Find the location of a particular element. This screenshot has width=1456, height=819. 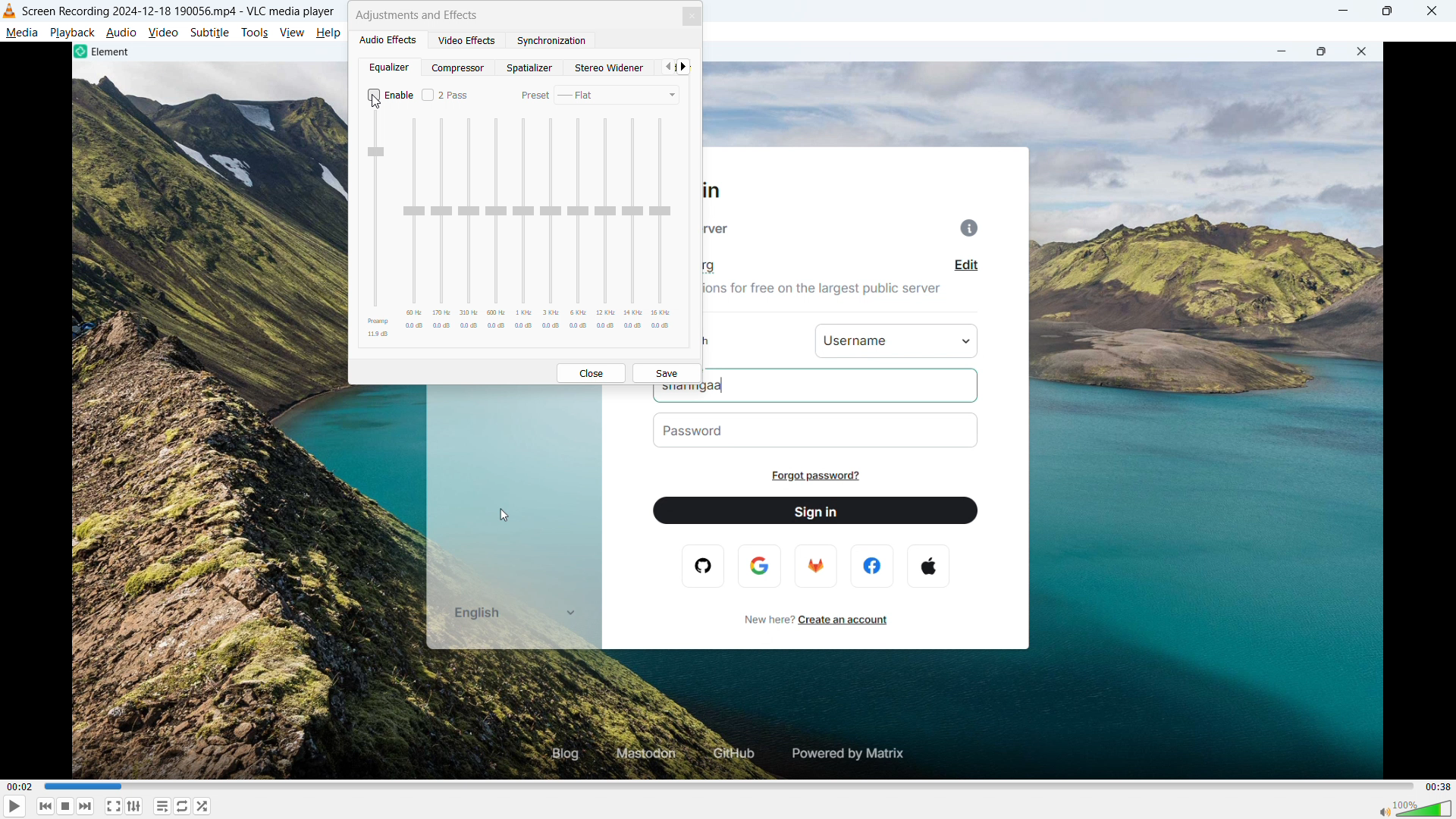

Adjust 310 Hz is located at coordinates (469, 224).